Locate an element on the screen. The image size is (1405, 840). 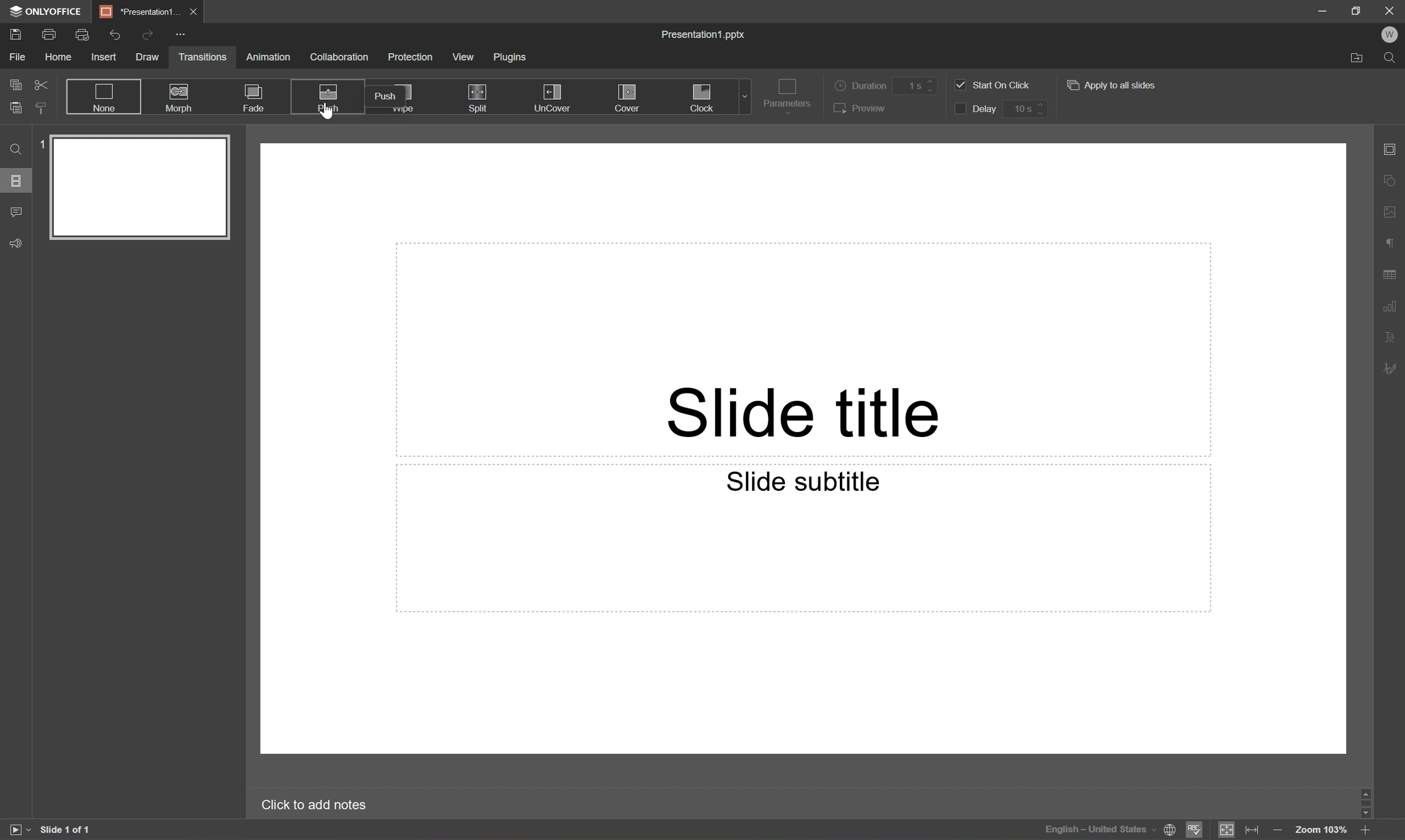
Fit to slide is located at coordinates (1229, 831).